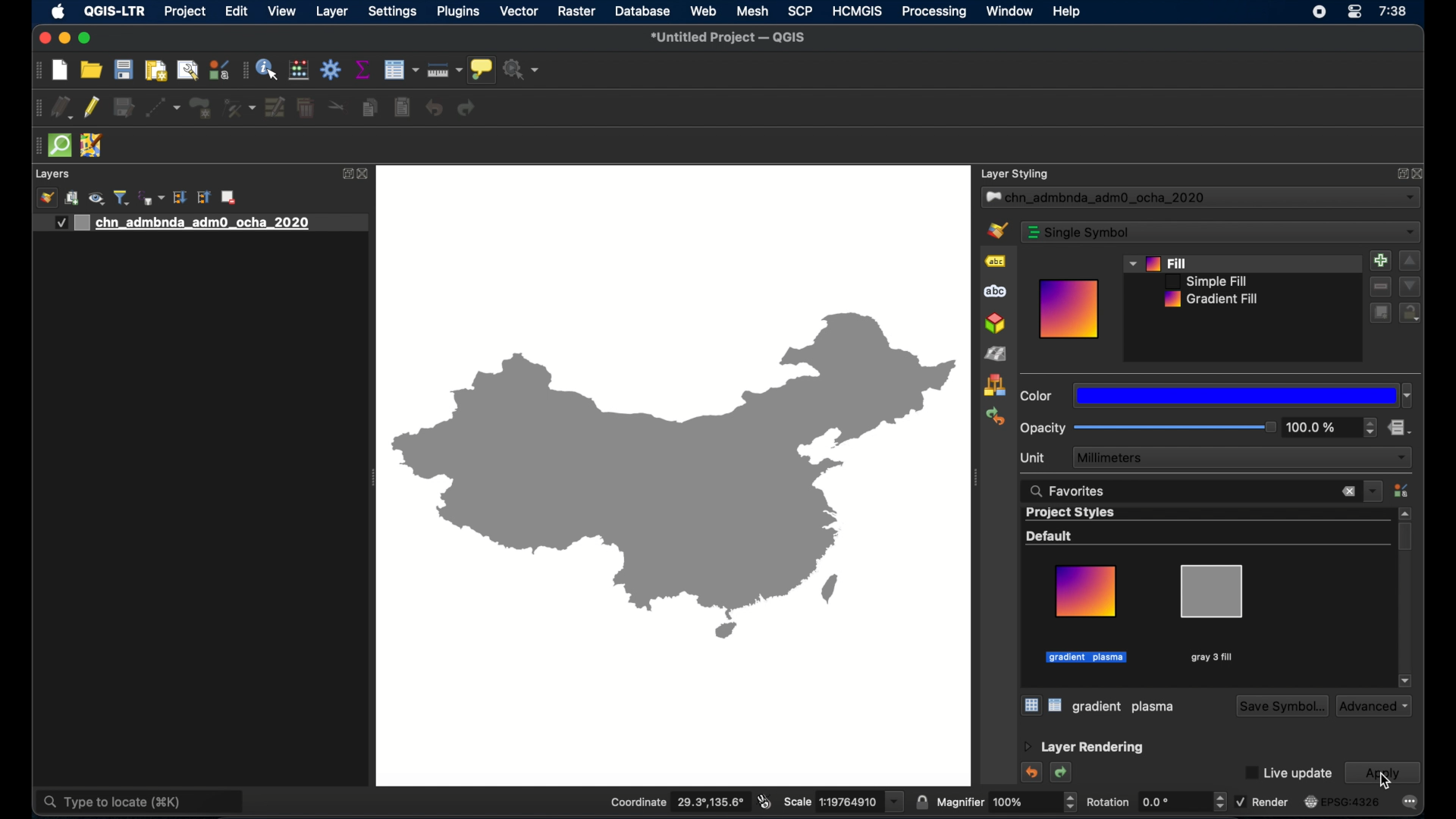  What do you see at coordinates (331, 70) in the screenshot?
I see `toolbox` at bounding box center [331, 70].